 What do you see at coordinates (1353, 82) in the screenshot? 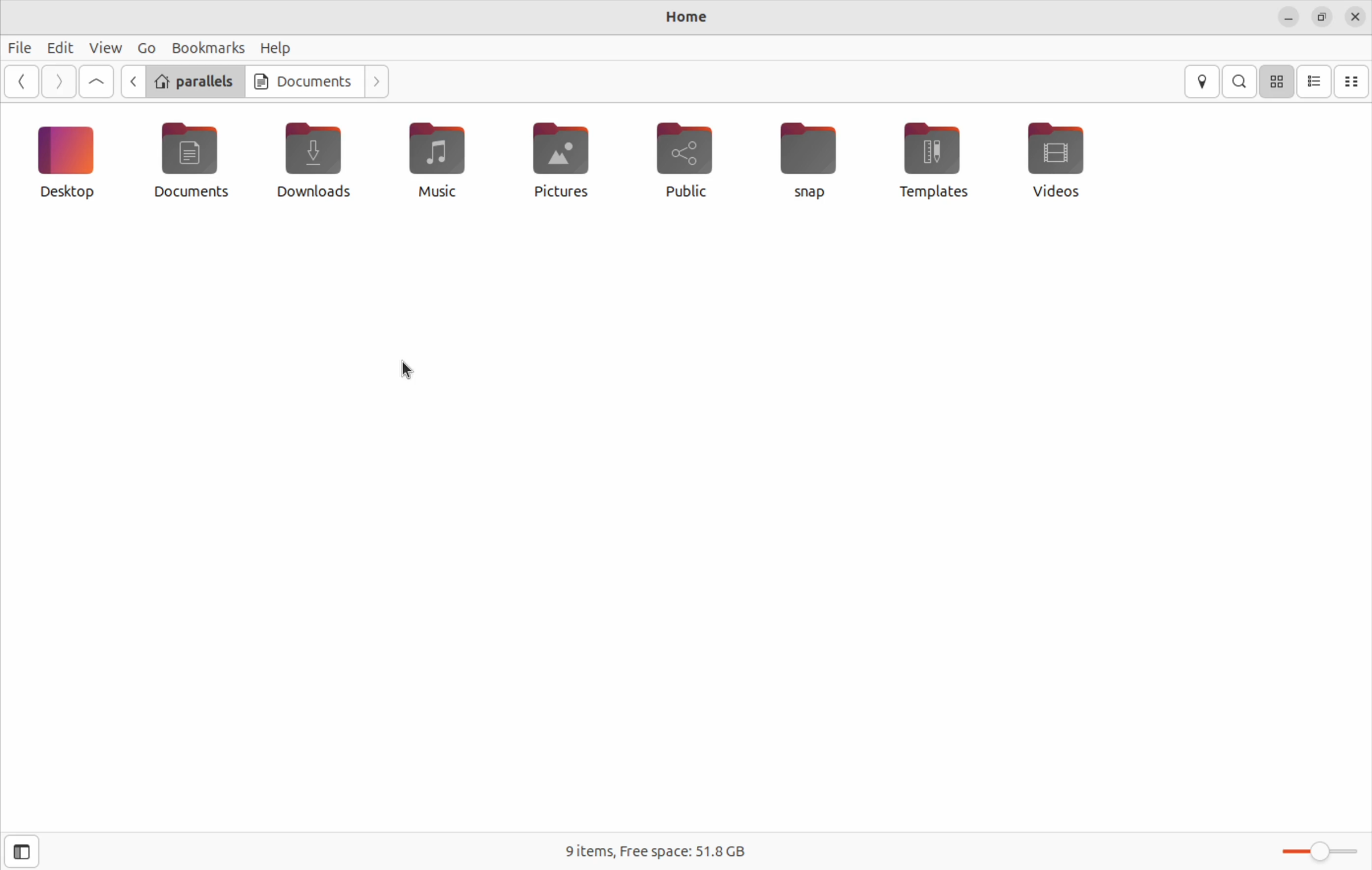
I see `compact view` at bounding box center [1353, 82].